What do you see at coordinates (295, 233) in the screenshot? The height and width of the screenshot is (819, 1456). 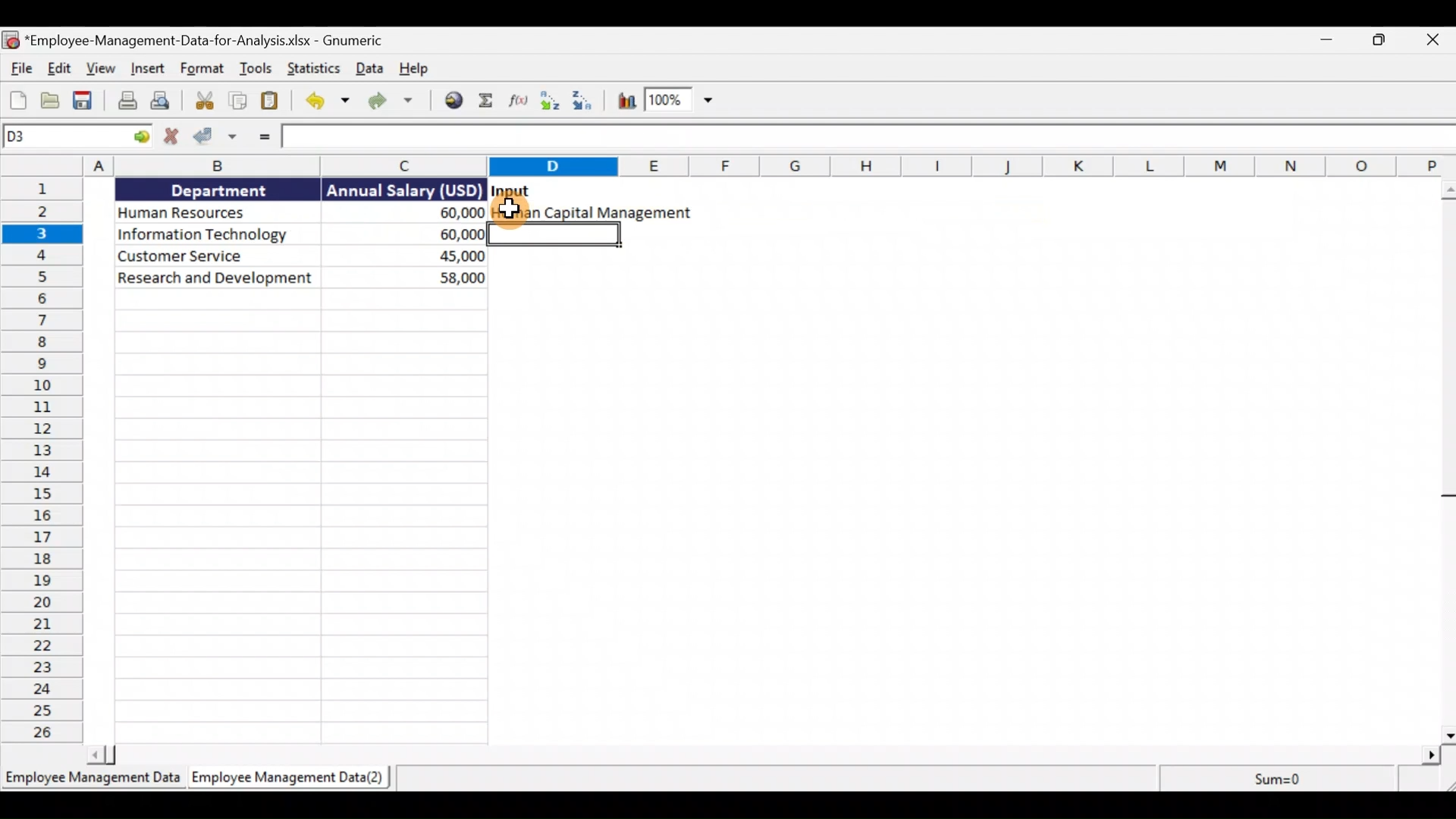 I see `Data` at bounding box center [295, 233].